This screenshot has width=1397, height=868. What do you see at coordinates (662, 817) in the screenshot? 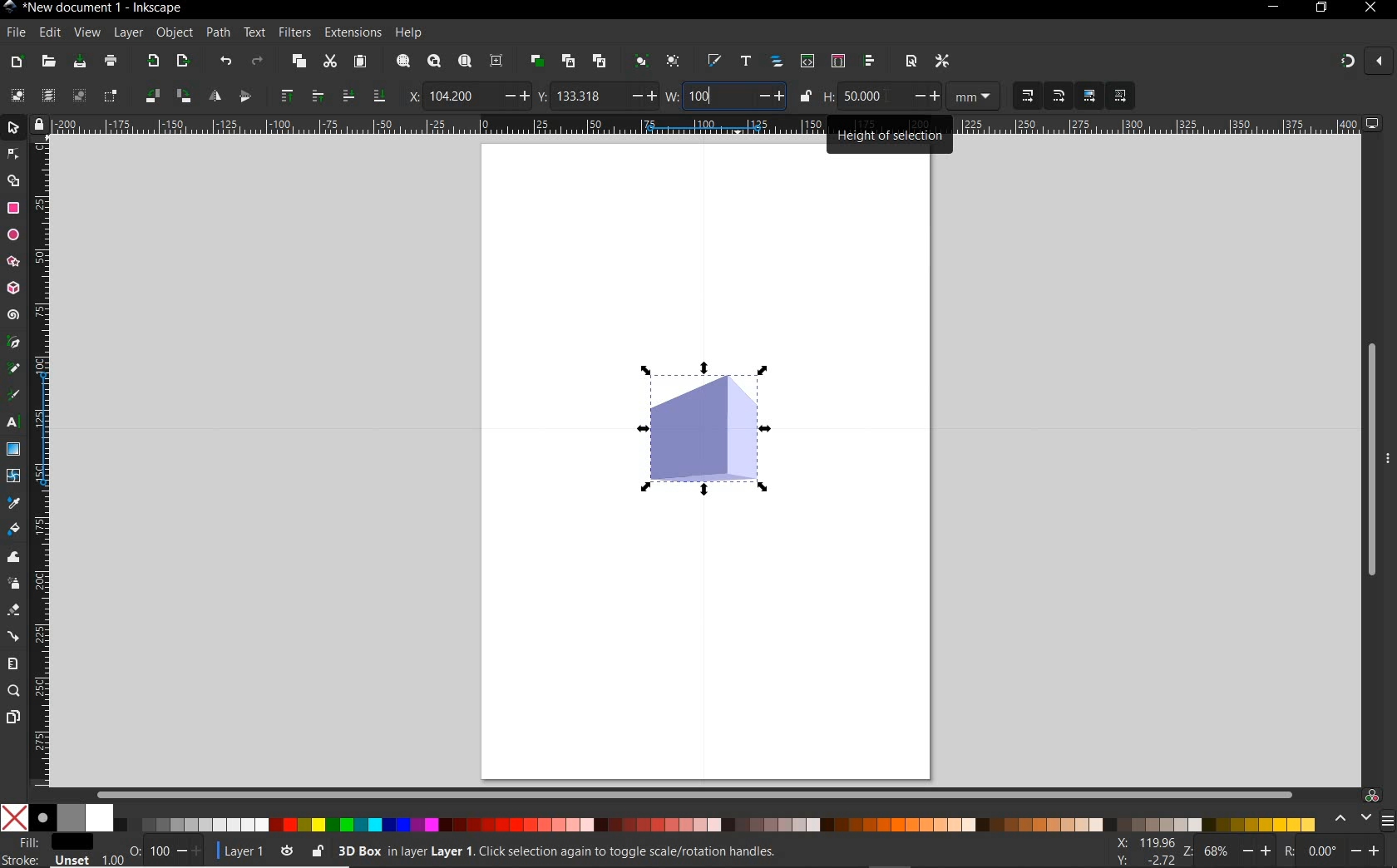
I see `color mode` at bounding box center [662, 817].